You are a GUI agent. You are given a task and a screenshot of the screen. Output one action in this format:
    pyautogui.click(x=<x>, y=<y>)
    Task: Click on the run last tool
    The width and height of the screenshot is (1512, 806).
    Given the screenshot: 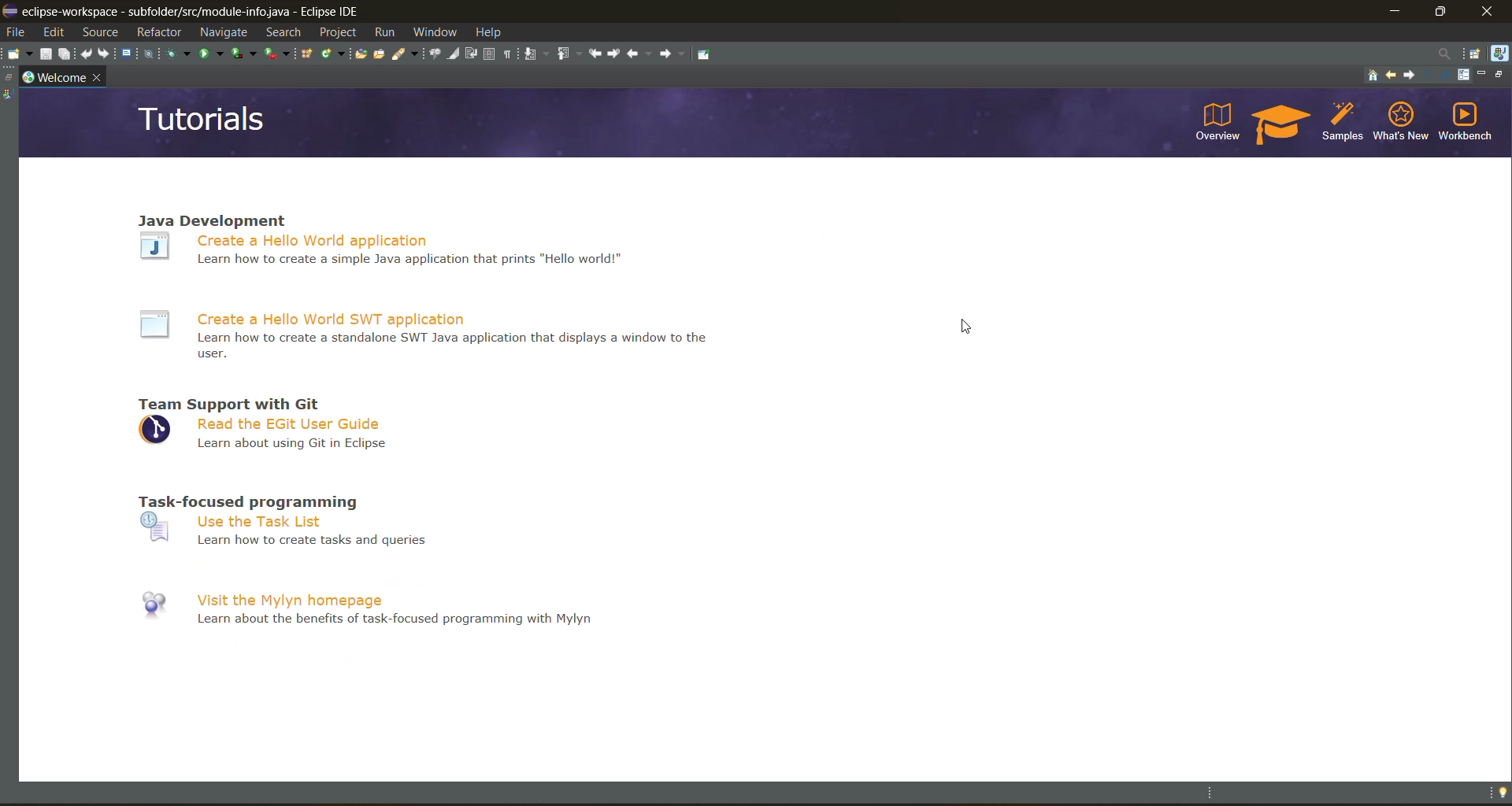 What is the action you would take?
    pyautogui.click(x=280, y=54)
    